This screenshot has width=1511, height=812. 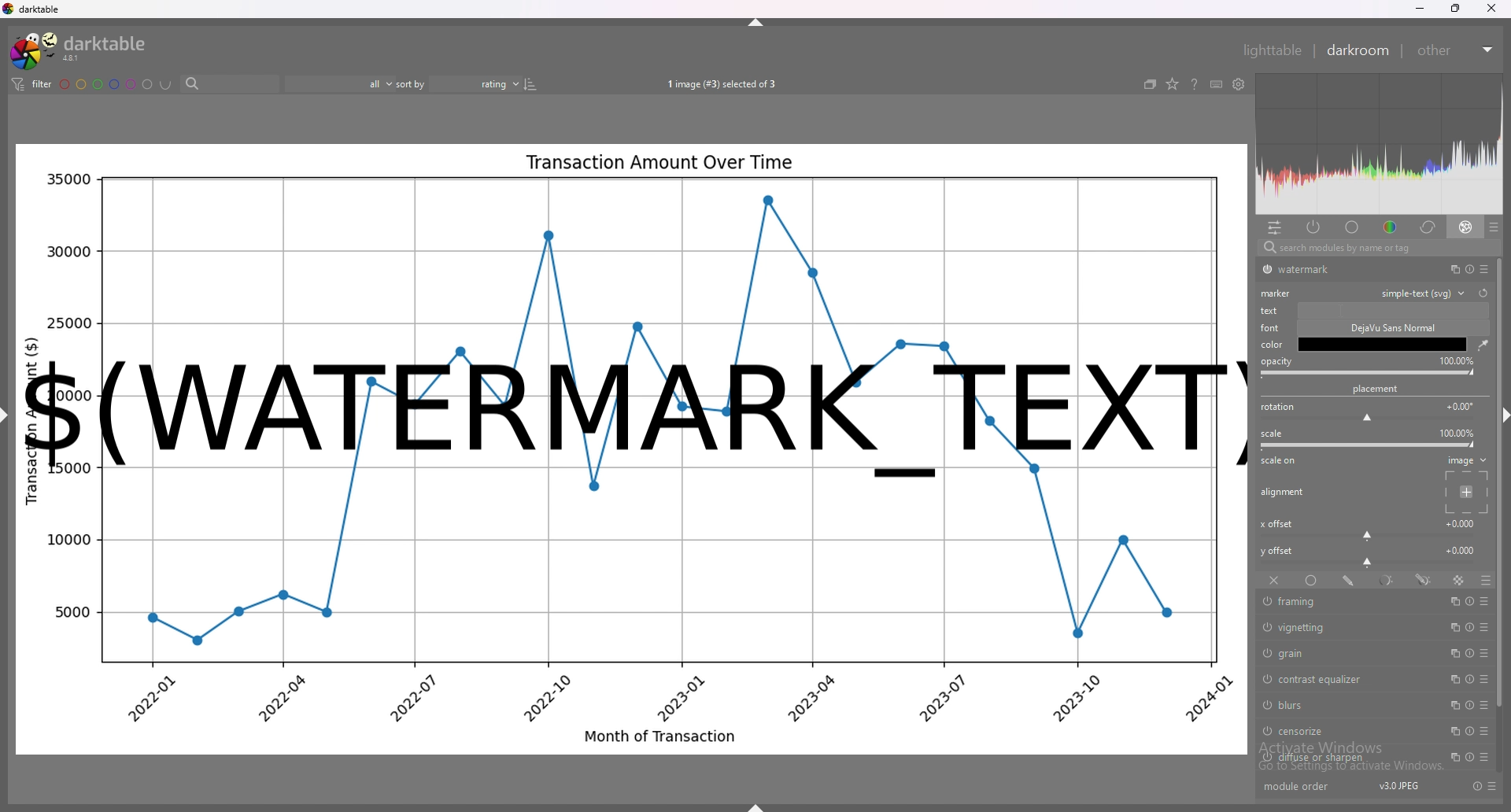 I want to click on keyboard shortcuts, so click(x=1216, y=84).